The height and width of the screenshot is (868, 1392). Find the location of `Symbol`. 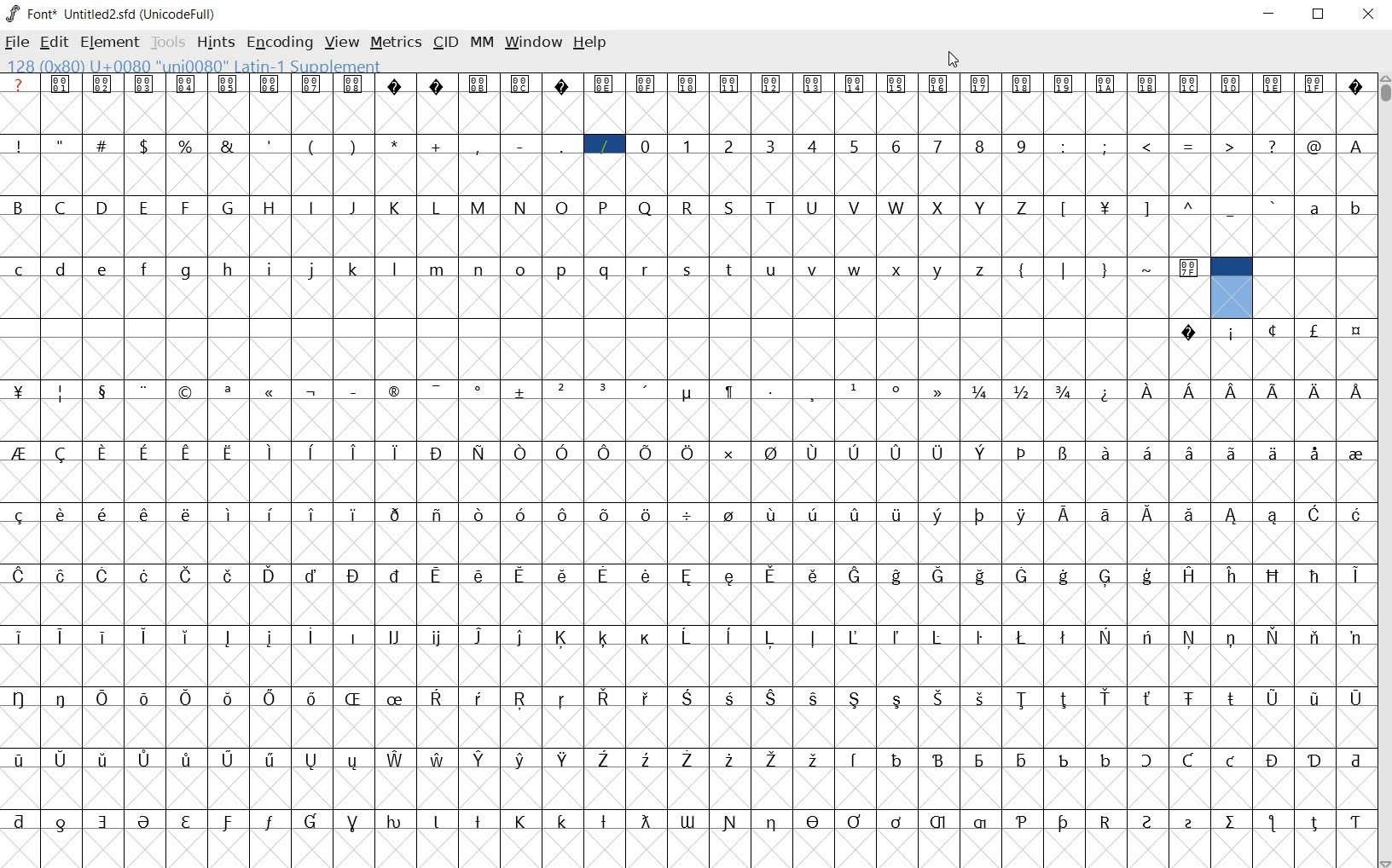

Symbol is located at coordinates (1354, 820).